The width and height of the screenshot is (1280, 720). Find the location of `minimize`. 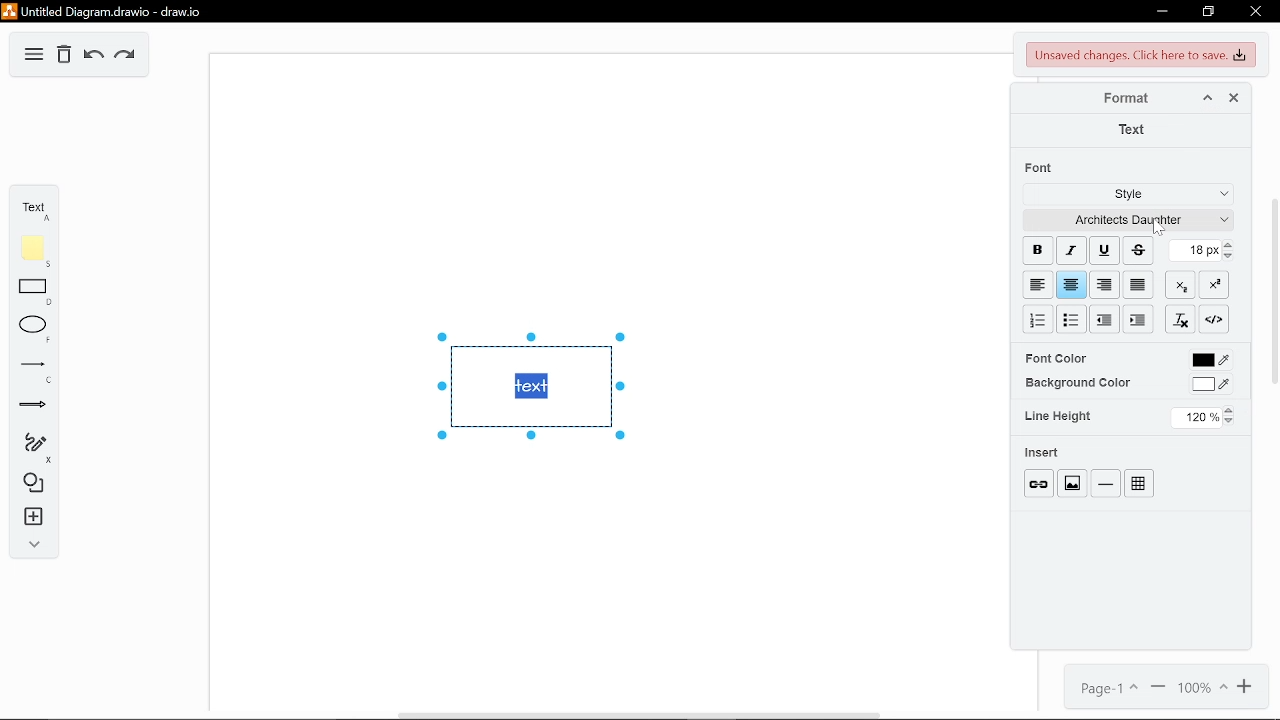

minimize is located at coordinates (1159, 12).